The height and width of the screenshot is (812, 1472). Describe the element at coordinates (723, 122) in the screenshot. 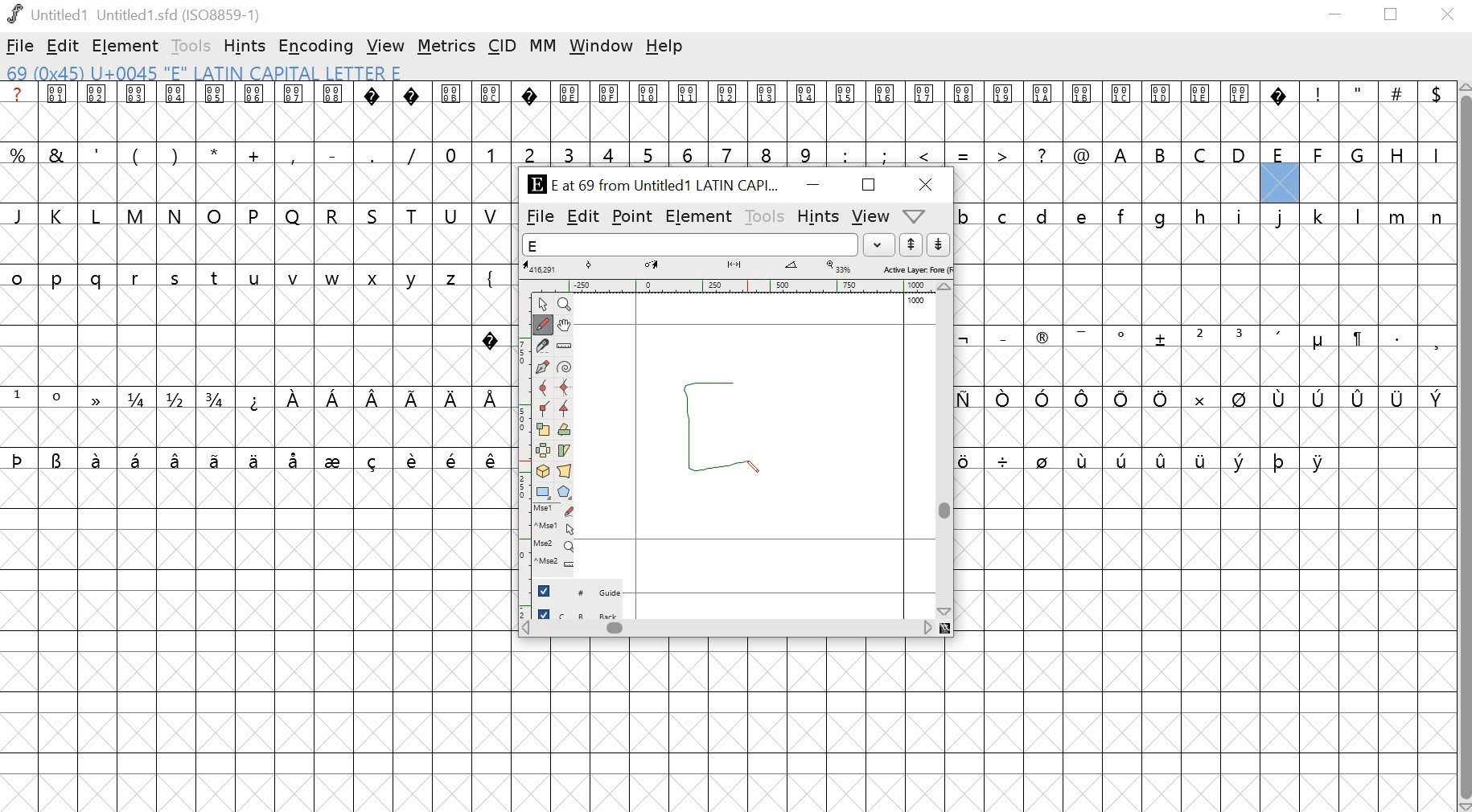

I see `empty cells` at that location.